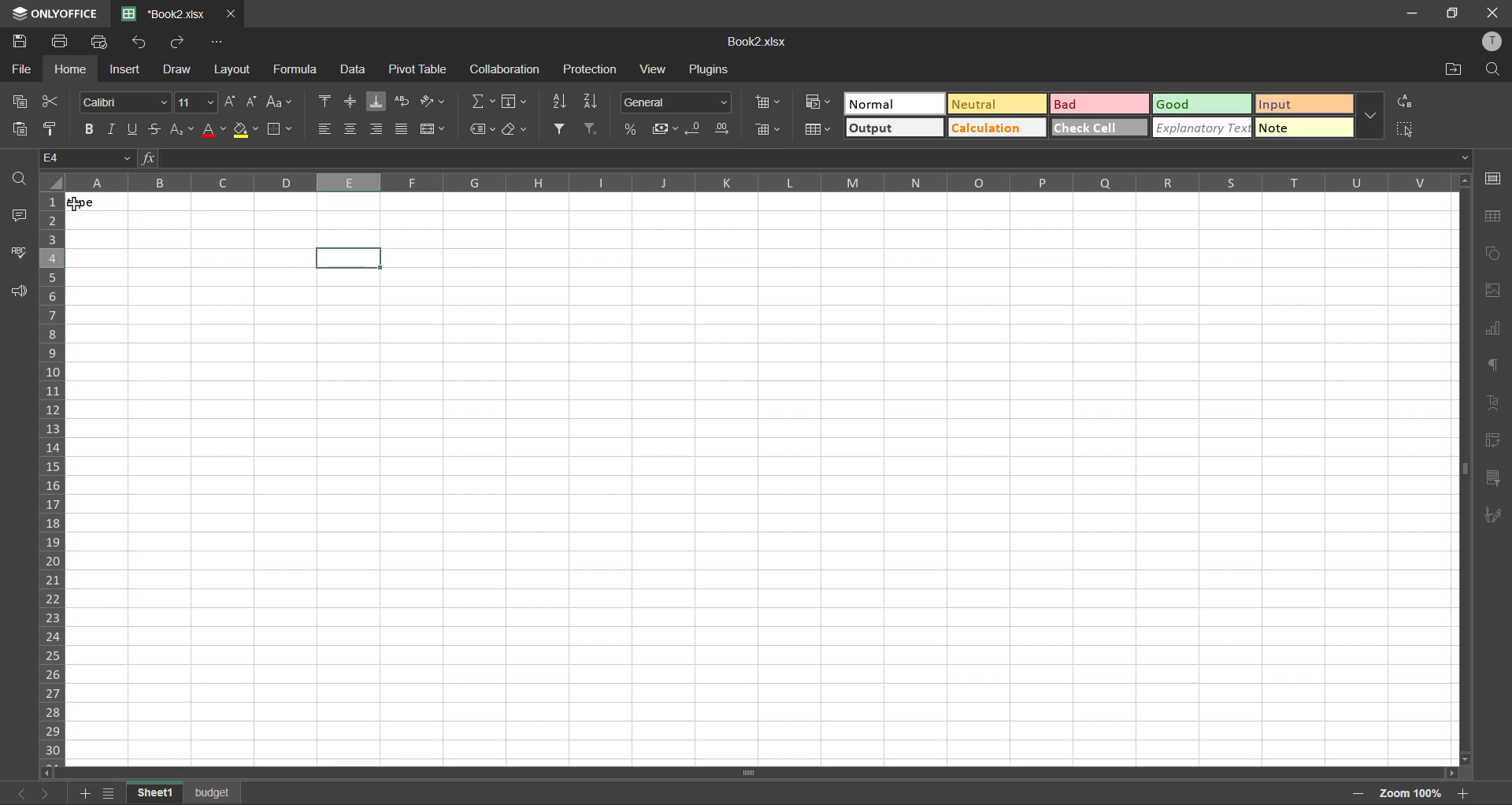 Image resolution: width=1512 pixels, height=805 pixels. Describe the element at coordinates (1494, 327) in the screenshot. I see `charts` at that location.